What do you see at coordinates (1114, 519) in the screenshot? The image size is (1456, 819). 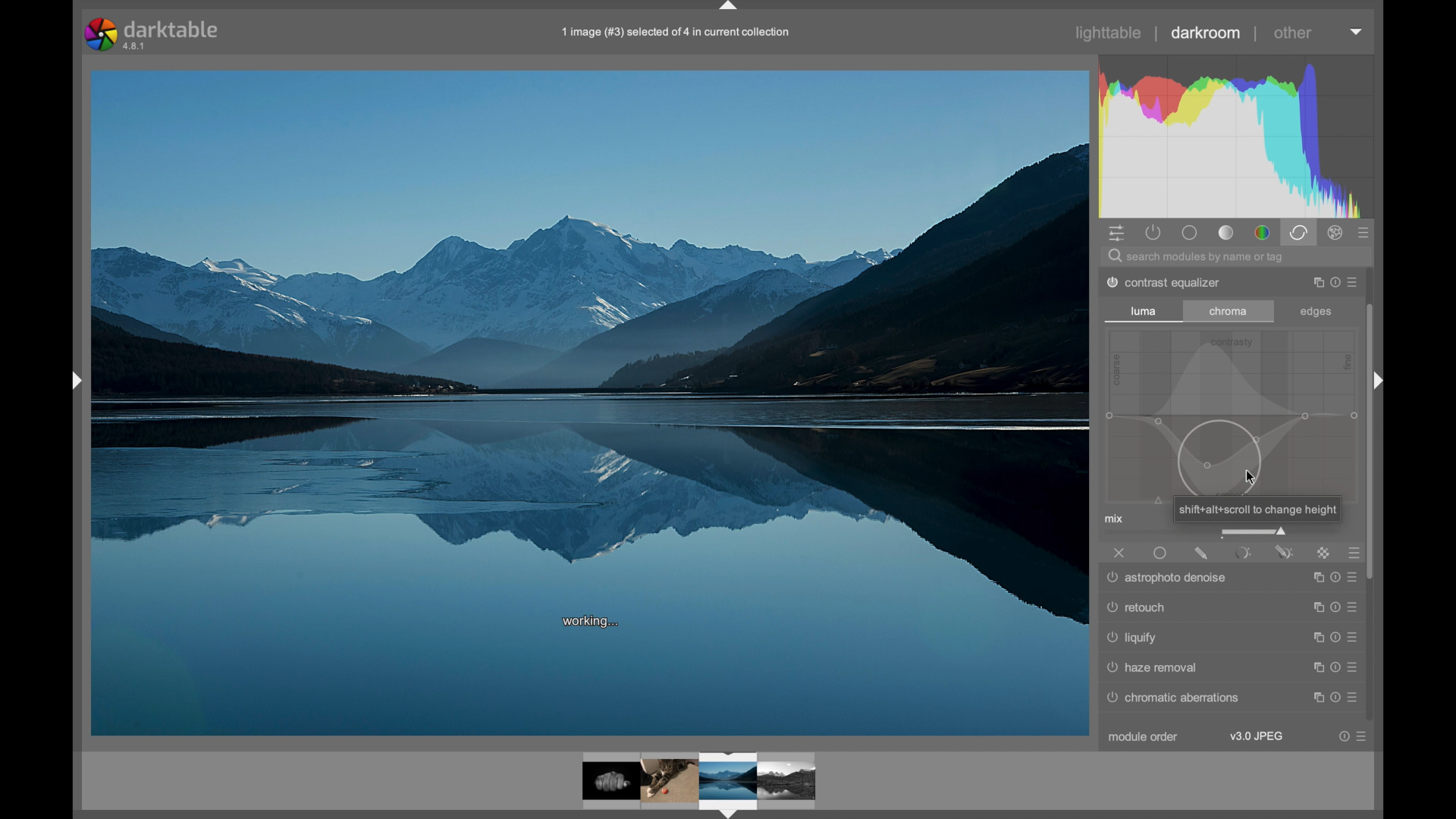 I see `mix` at bounding box center [1114, 519].